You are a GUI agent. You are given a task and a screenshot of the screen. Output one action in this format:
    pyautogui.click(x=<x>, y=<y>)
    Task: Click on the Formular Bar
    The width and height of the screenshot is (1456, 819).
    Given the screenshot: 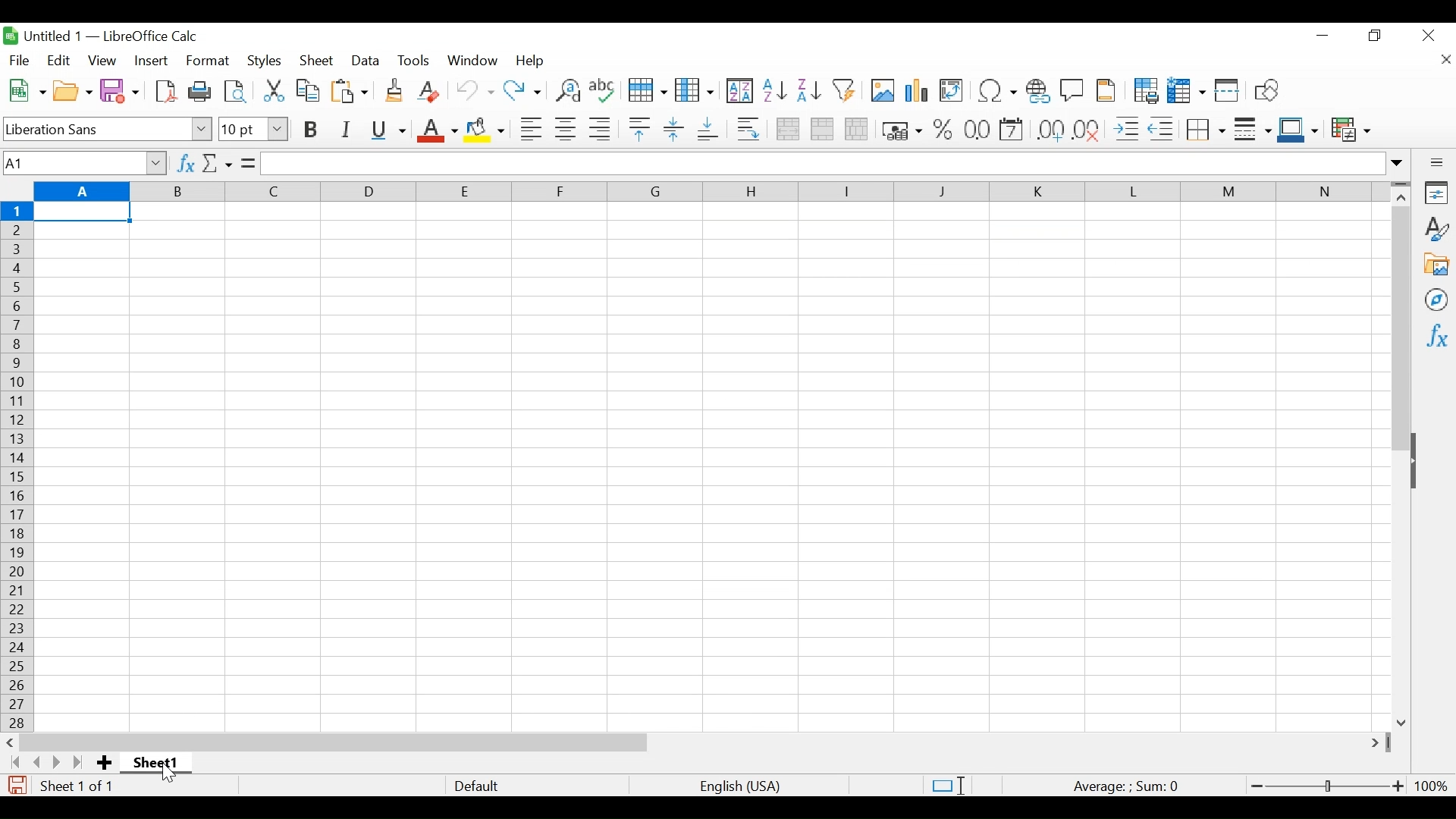 What is the action you would take?
    pyautogui.click(x=835, y=165)
    